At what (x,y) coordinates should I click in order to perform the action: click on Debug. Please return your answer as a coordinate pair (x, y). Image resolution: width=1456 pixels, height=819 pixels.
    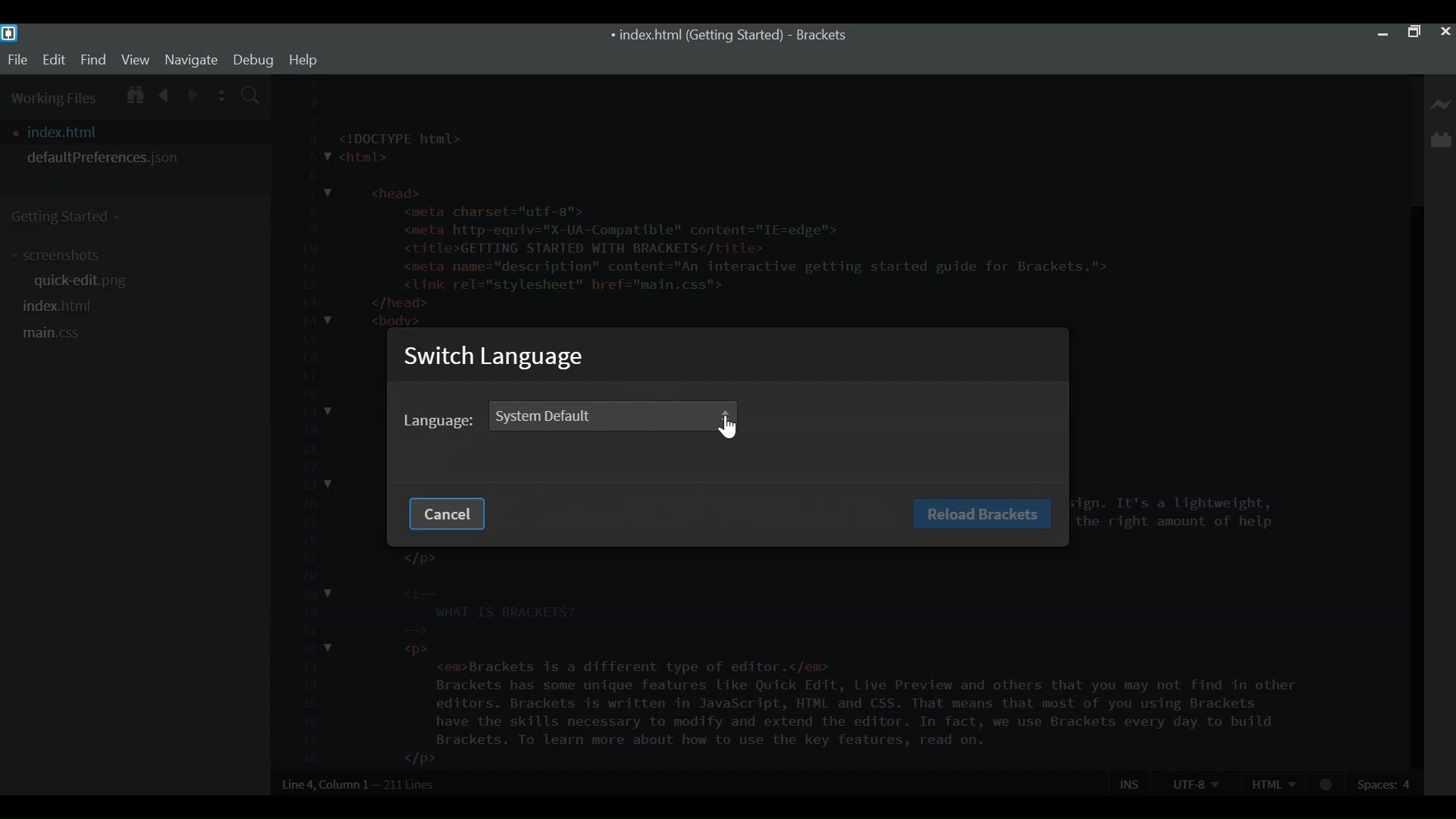
    Looking at the image, I should click on (253, 60).